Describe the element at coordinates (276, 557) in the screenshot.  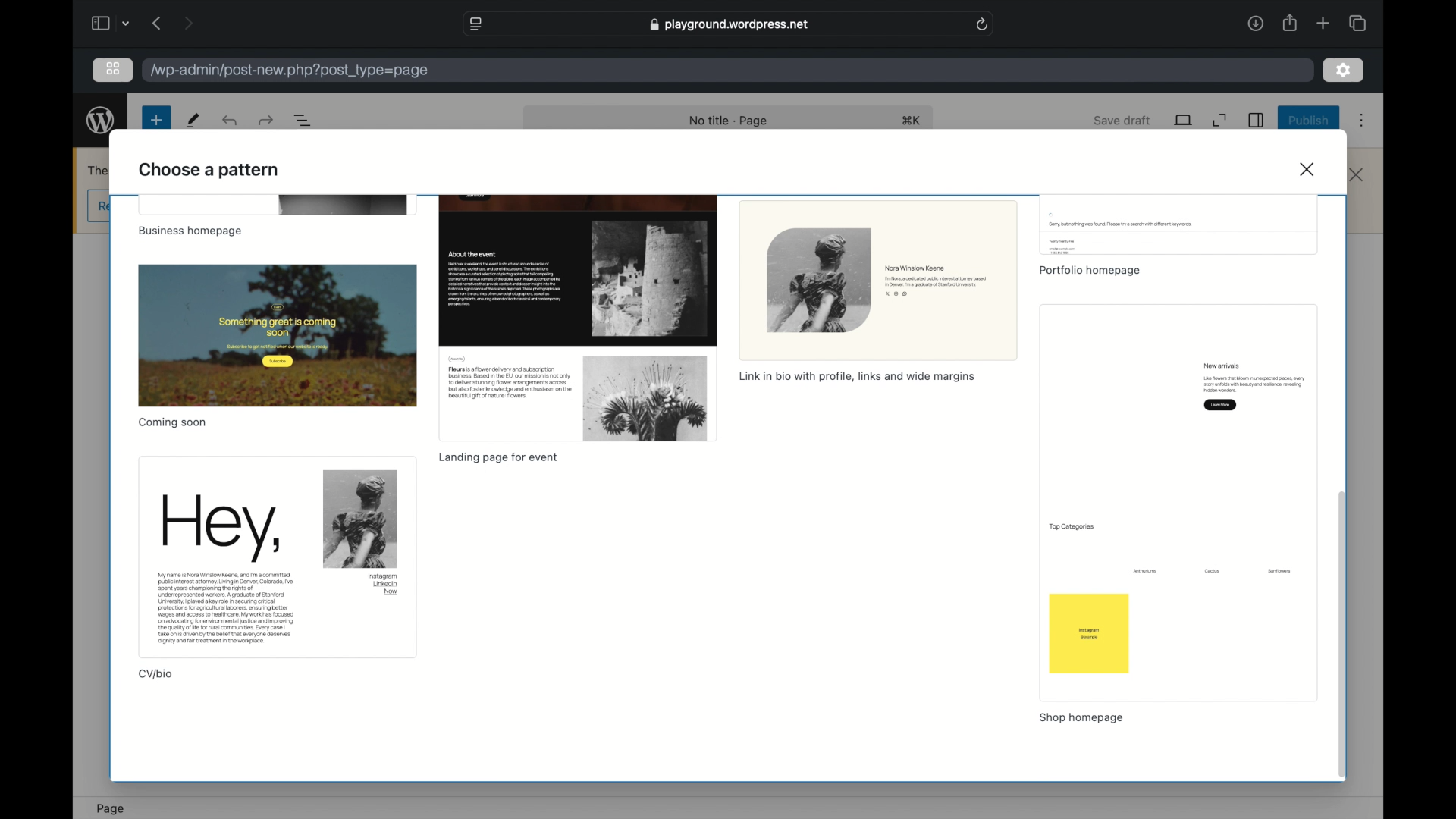
I see `preview` at that location.